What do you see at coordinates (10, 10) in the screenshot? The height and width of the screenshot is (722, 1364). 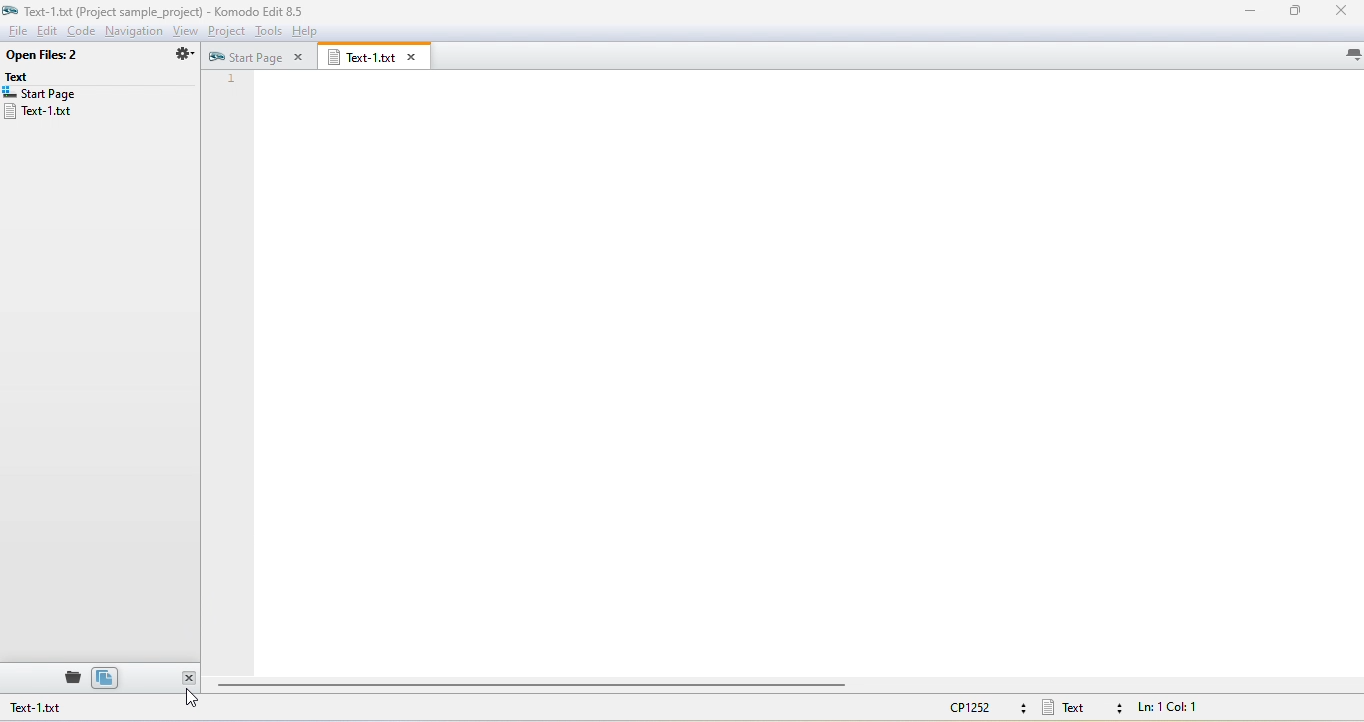 I see `app icon` at bounding box center [10, 10].